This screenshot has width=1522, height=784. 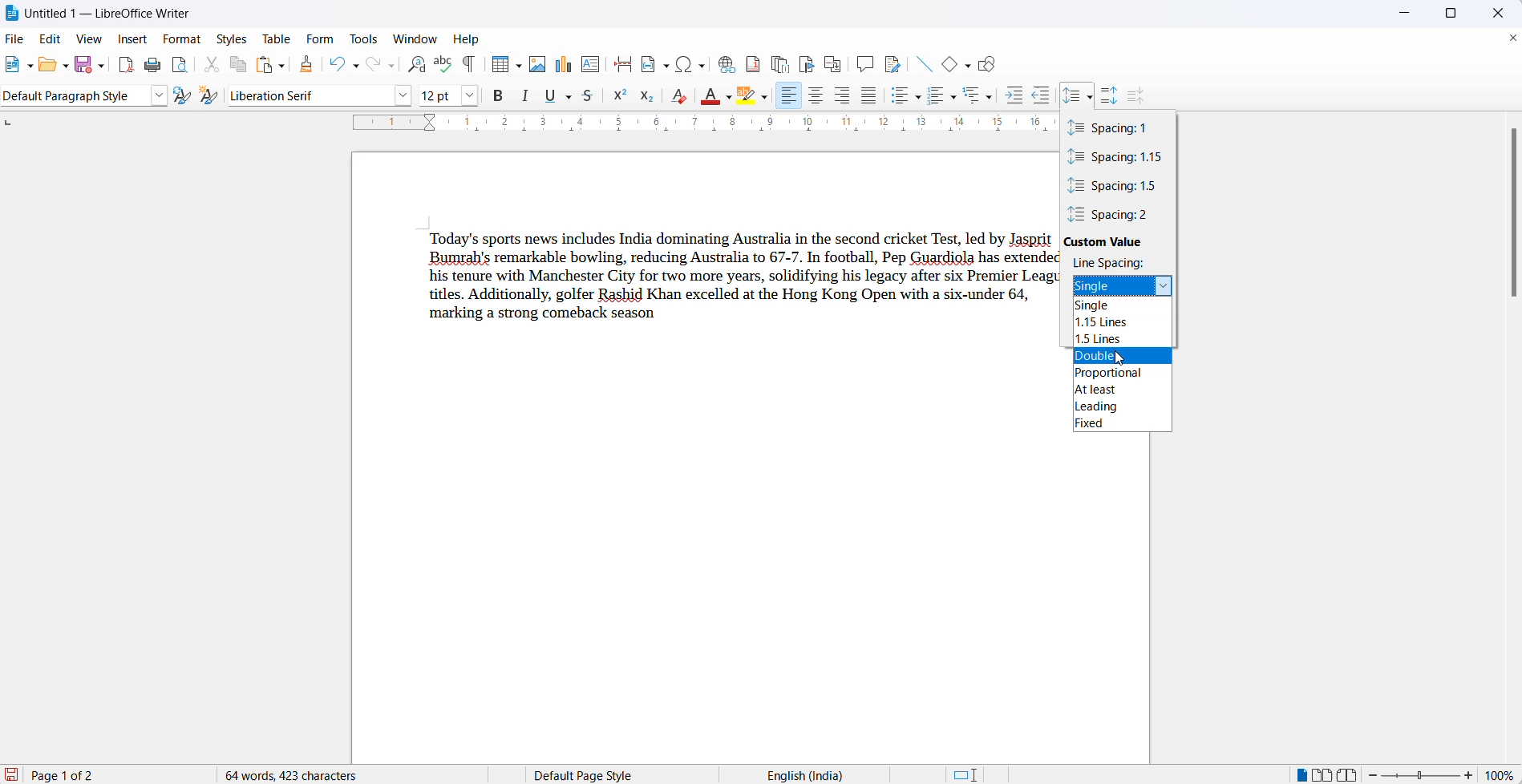 What do you see at coordinates (181, 99) in the screenshot?
I see `update selected styles` at bounding box center [181, 99].